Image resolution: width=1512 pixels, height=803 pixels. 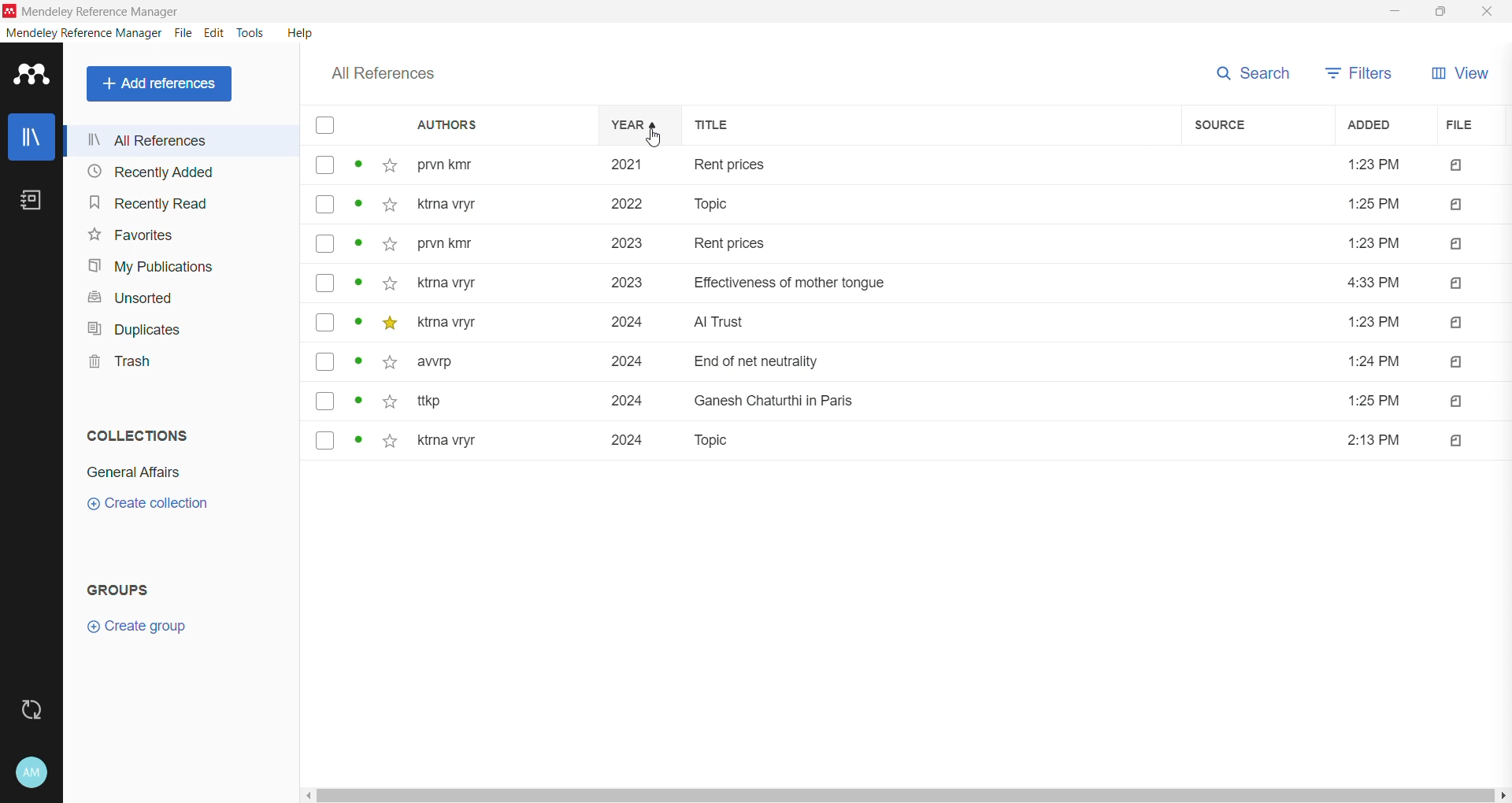 What do you see at coordinates (387, 400) in the screenshot?
I see `click to add to favorites` at bounding box center [387, 400].